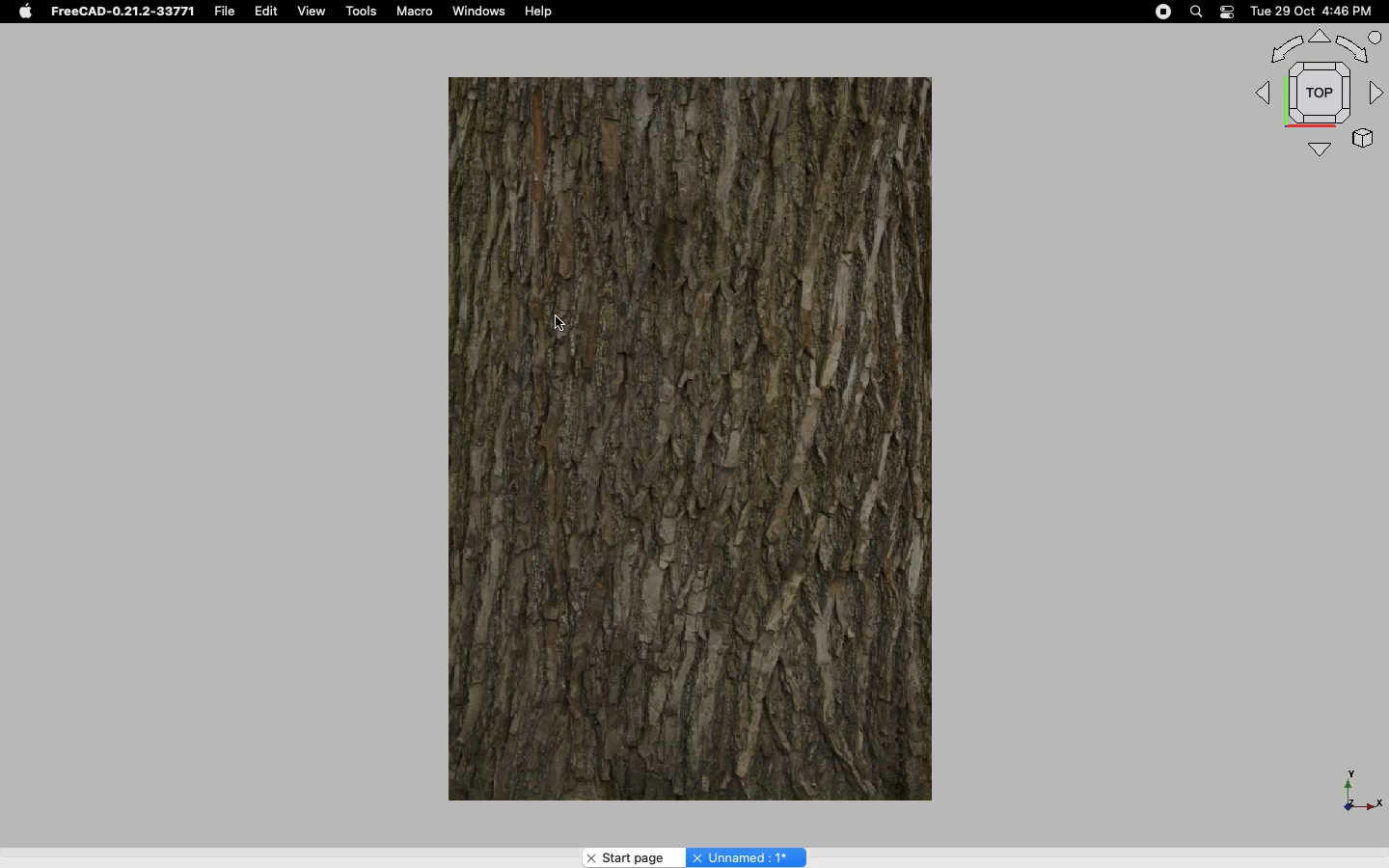 This screenshot has height=868, width=1389. Describe the element at coordinates (1357, 786) in the screenshot. I see `Axis` at that location.